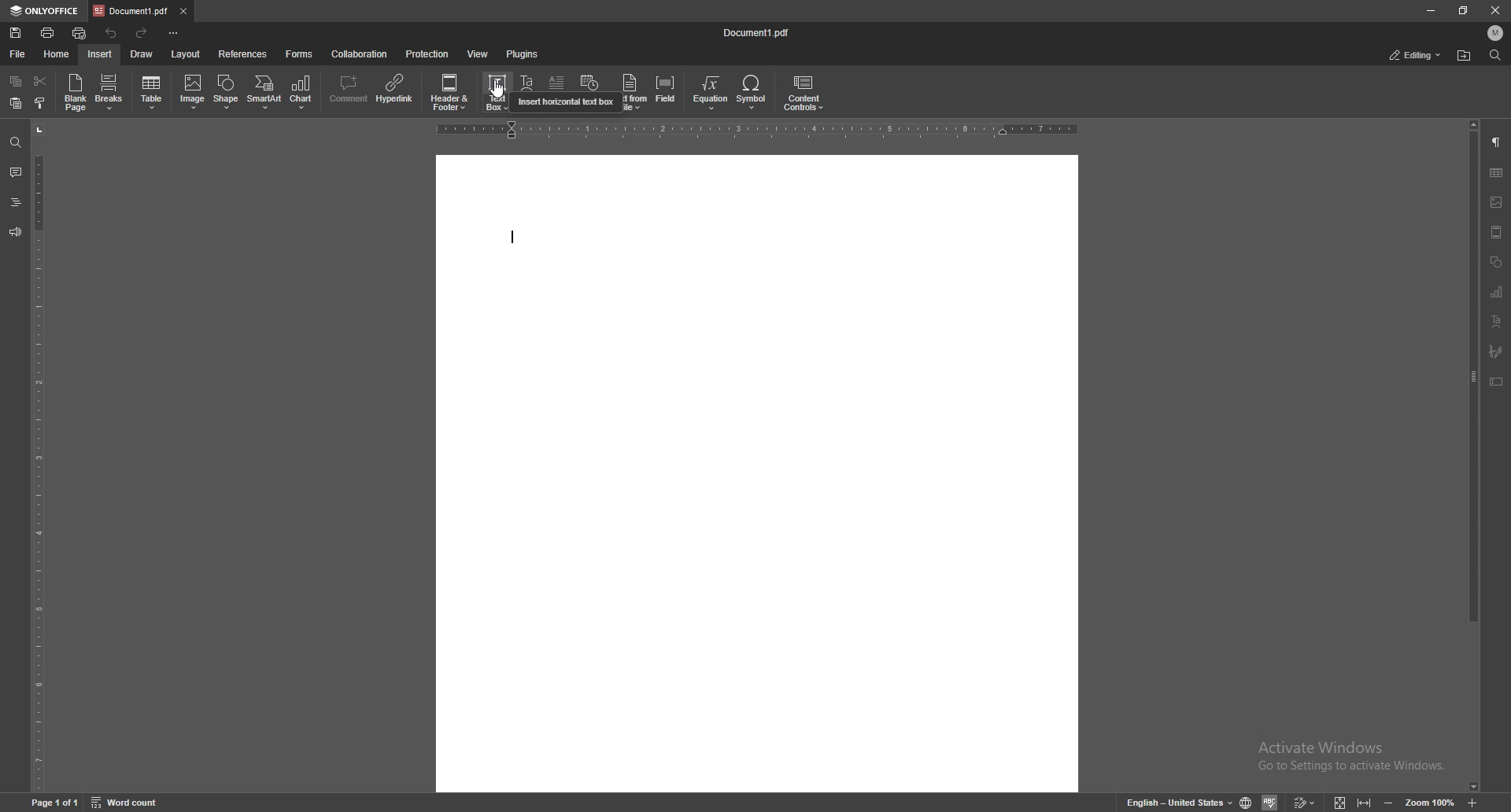  I want to click on horizontal scale, so click(757, 130).